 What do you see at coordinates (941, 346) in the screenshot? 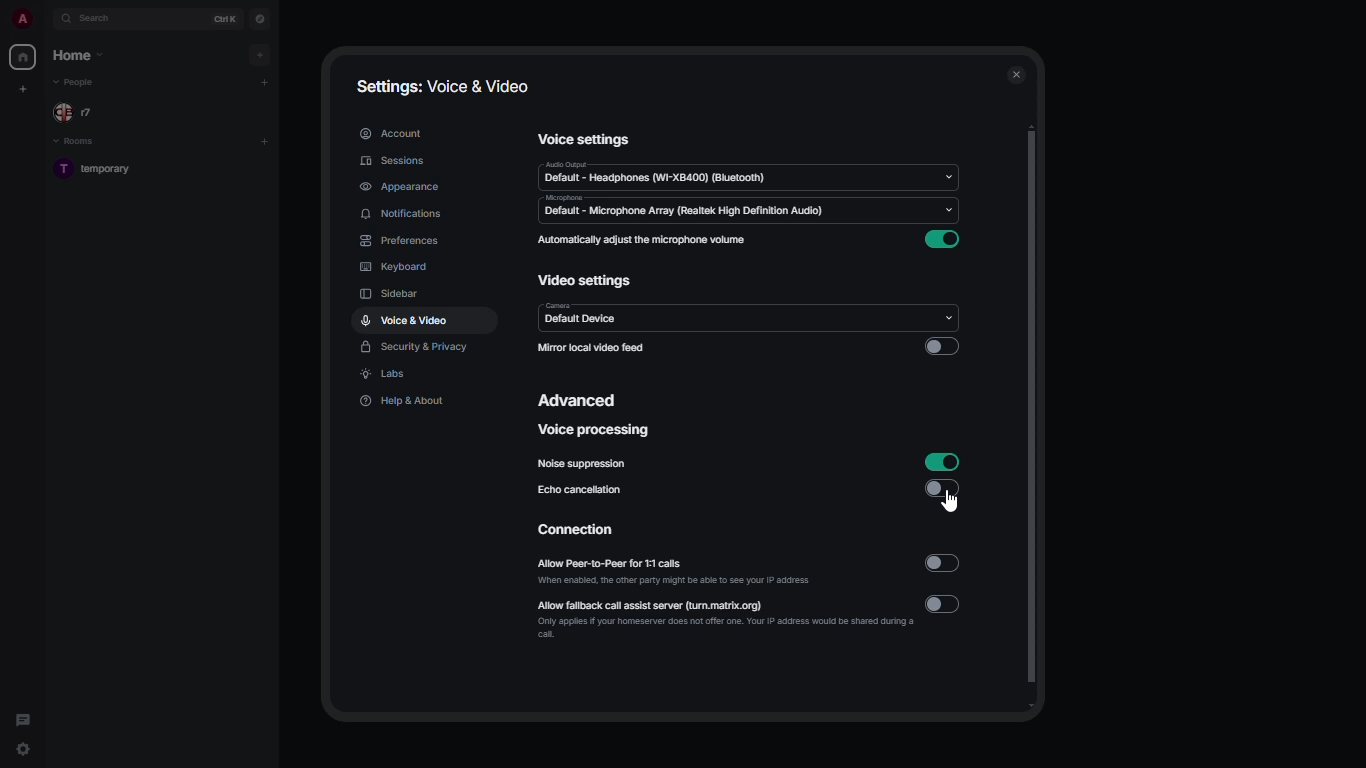
I see `disabled` at bounding box center [941, 346].